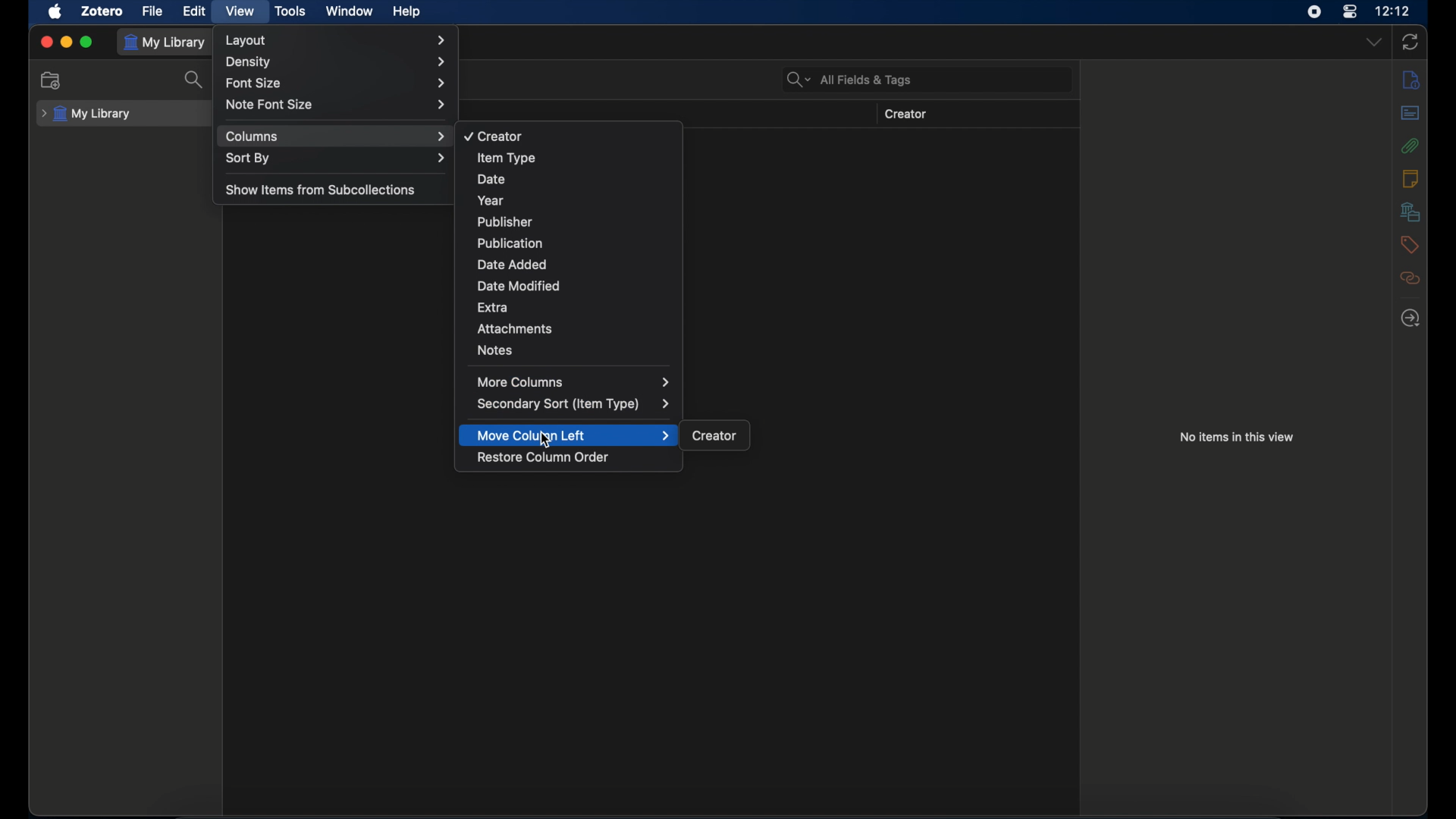  Describe the element at coordinates (509, 243) in the screenshot. I see `publication` at that location.